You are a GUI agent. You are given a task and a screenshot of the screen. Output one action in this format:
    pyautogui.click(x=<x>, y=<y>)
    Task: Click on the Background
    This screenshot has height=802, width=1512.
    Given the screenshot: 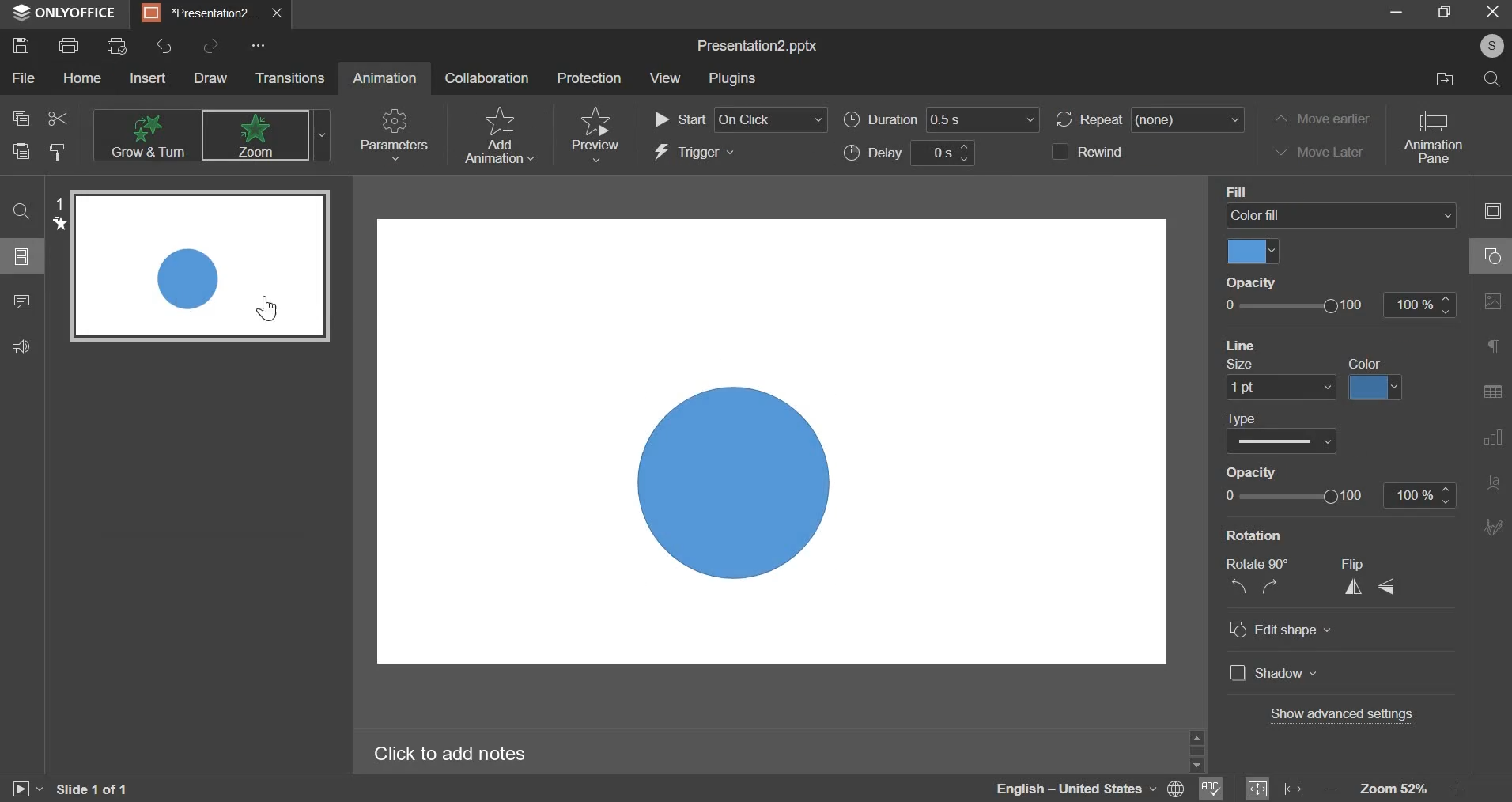 What is the action you would take?
    pyautogui.click(x=1259, y=191)
    